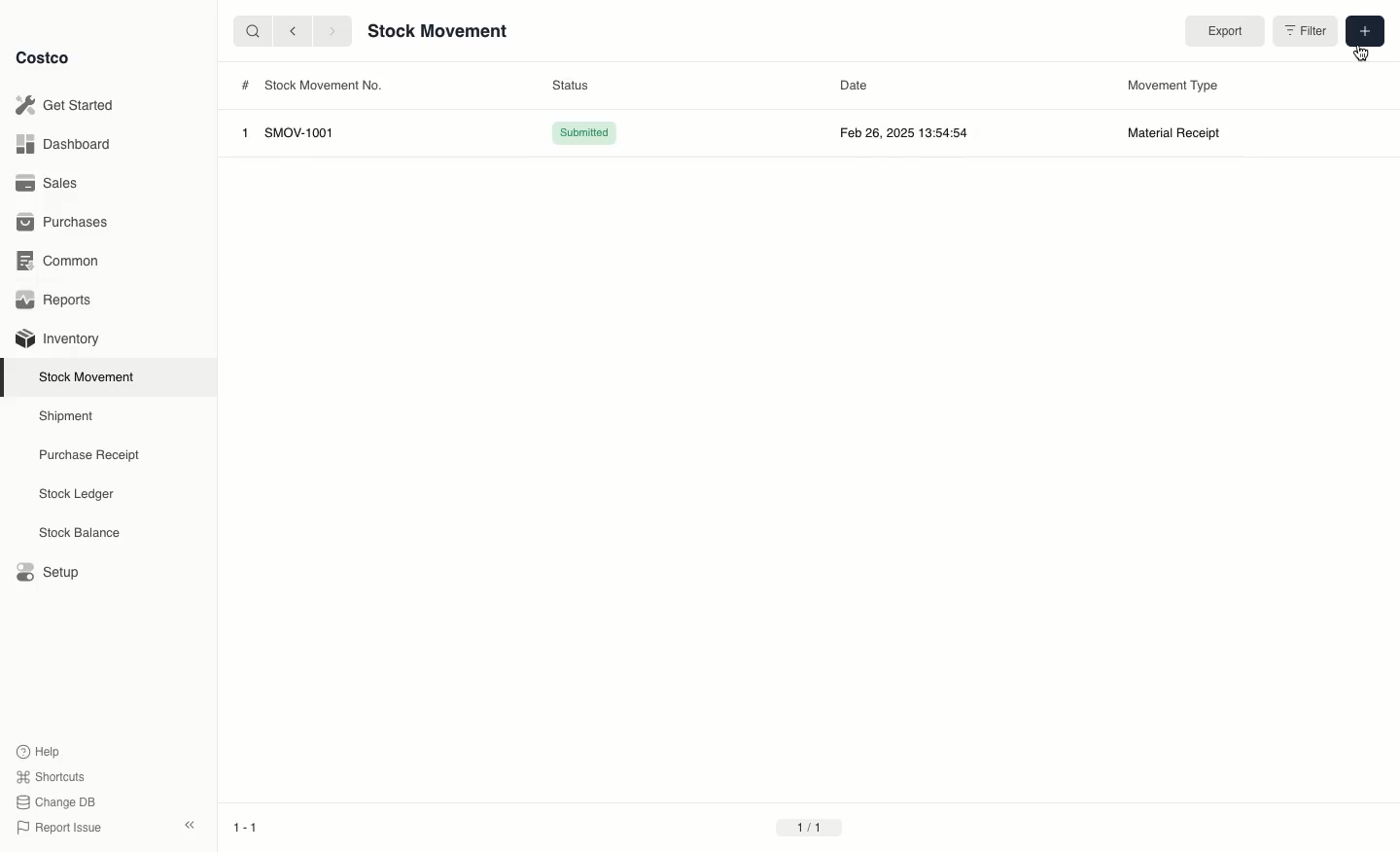 This screenshot has width=1400, height=852. Describe the element at coordinates (1172, 87) in the screenshot. I see `Movement Type` at that location.